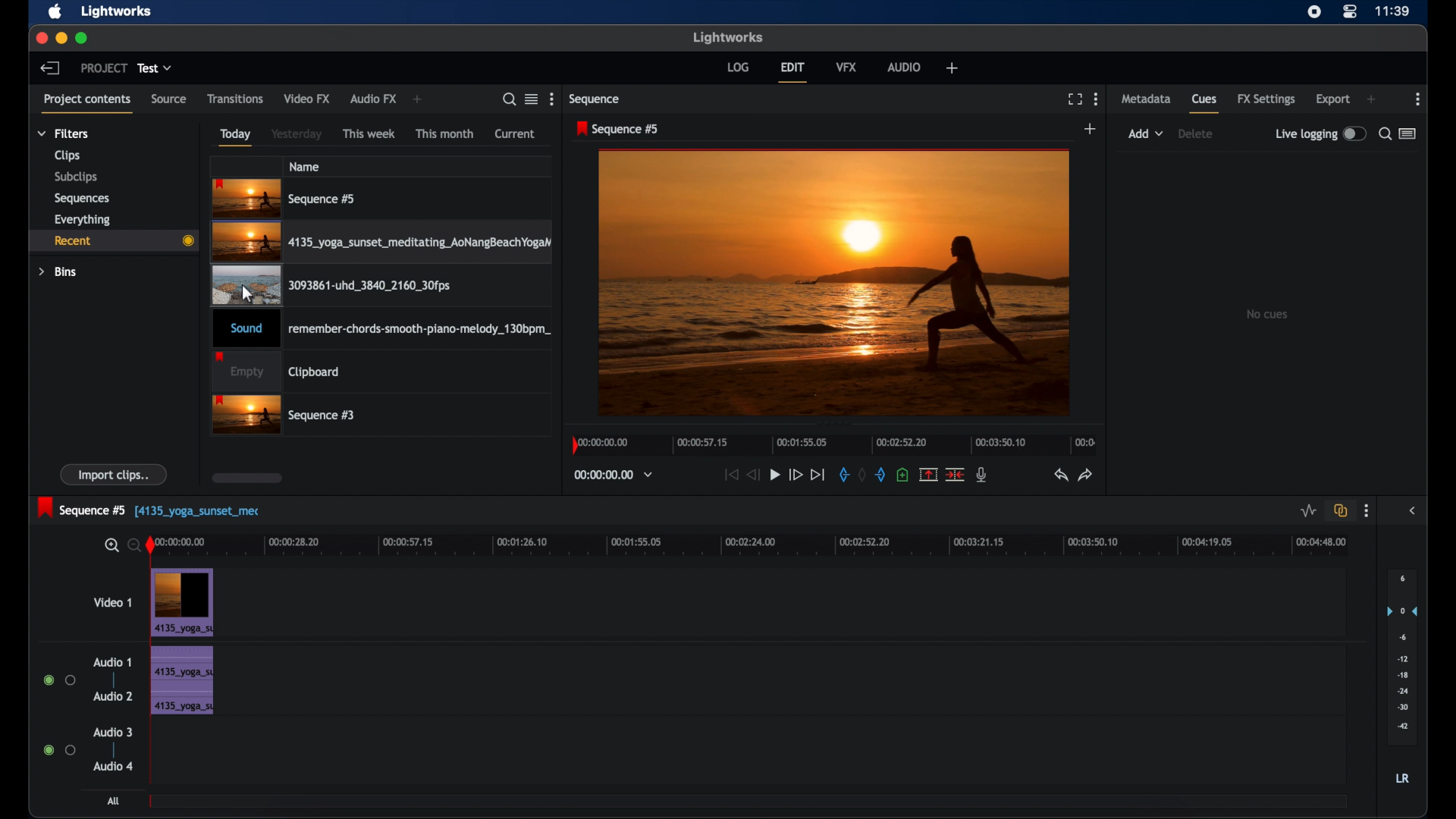 Image resolution: width=1456 pixels, height=819 pixels. I want to click on toggle list or tile view, so click(532, 99).